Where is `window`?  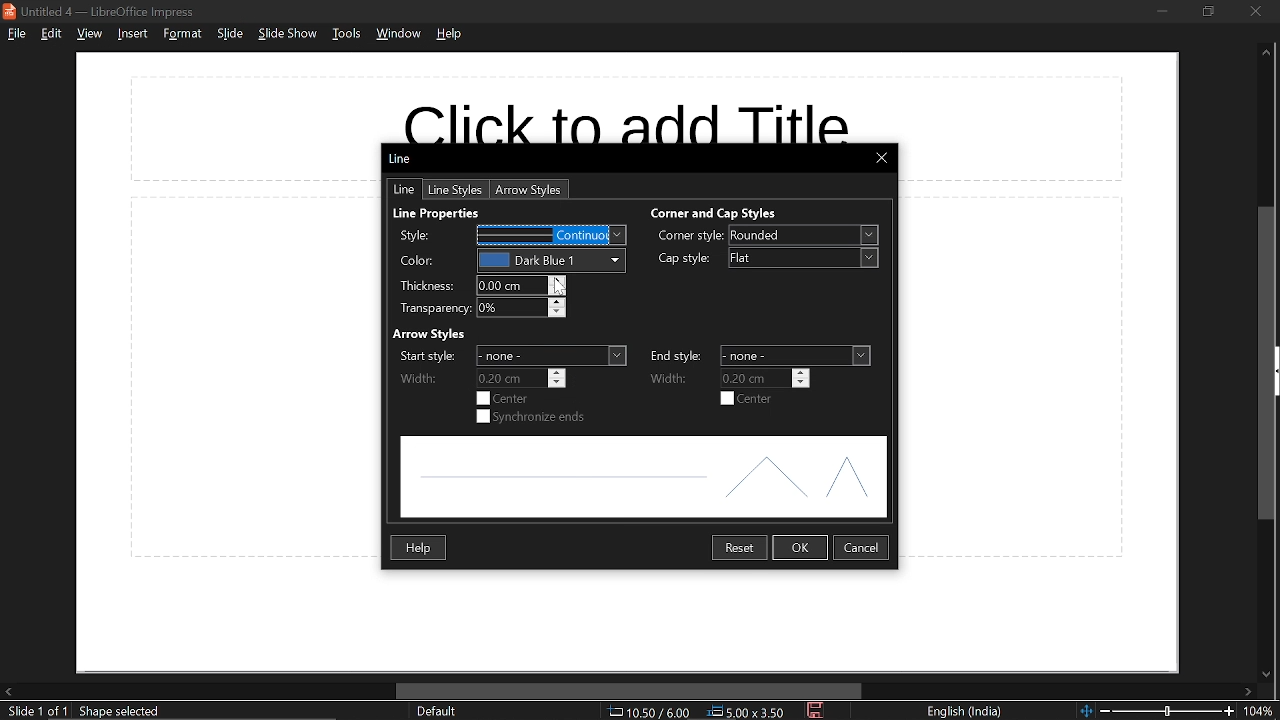
window is located at coordinates (398, 34).